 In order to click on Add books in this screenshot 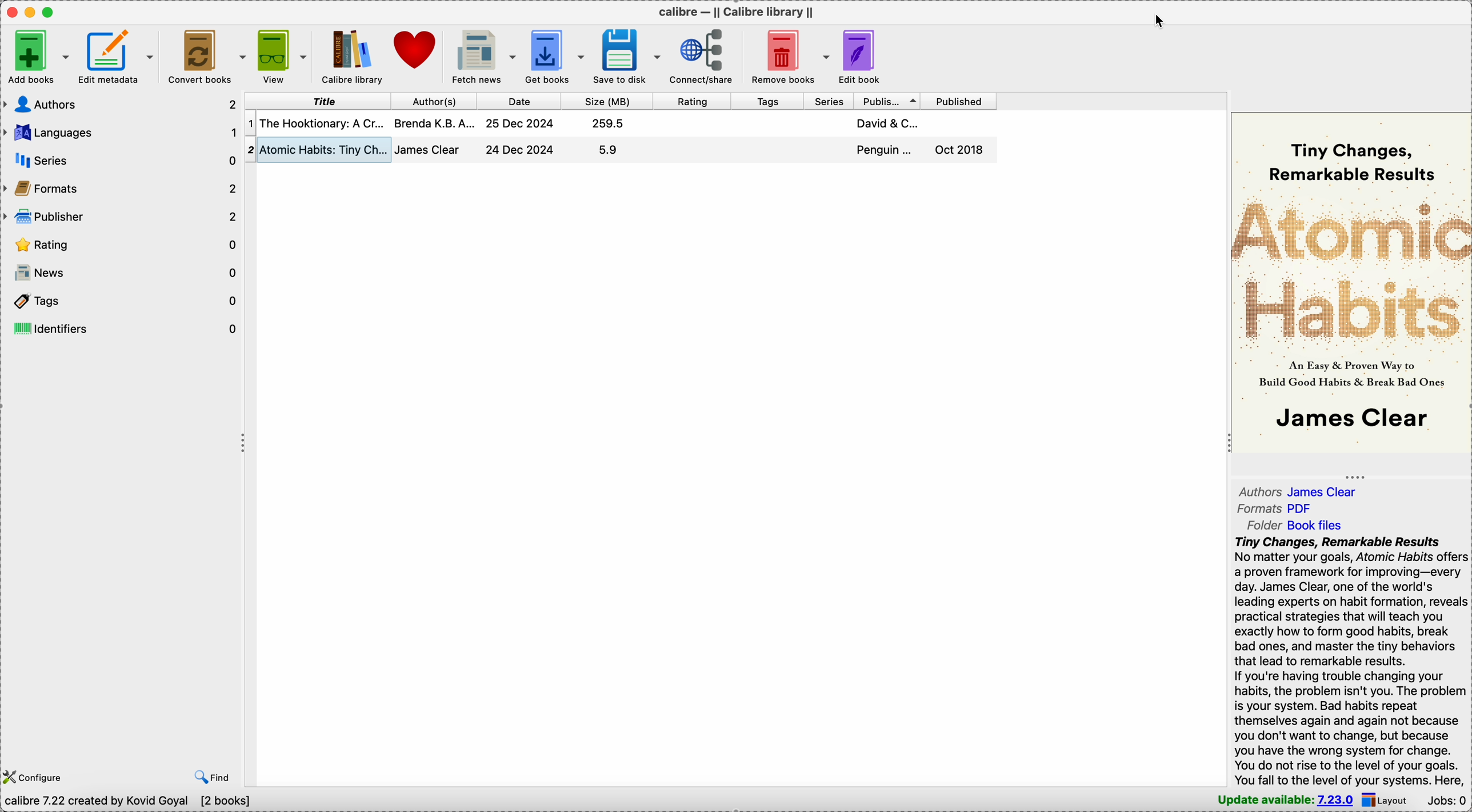, I will do `click(37, 58)`.